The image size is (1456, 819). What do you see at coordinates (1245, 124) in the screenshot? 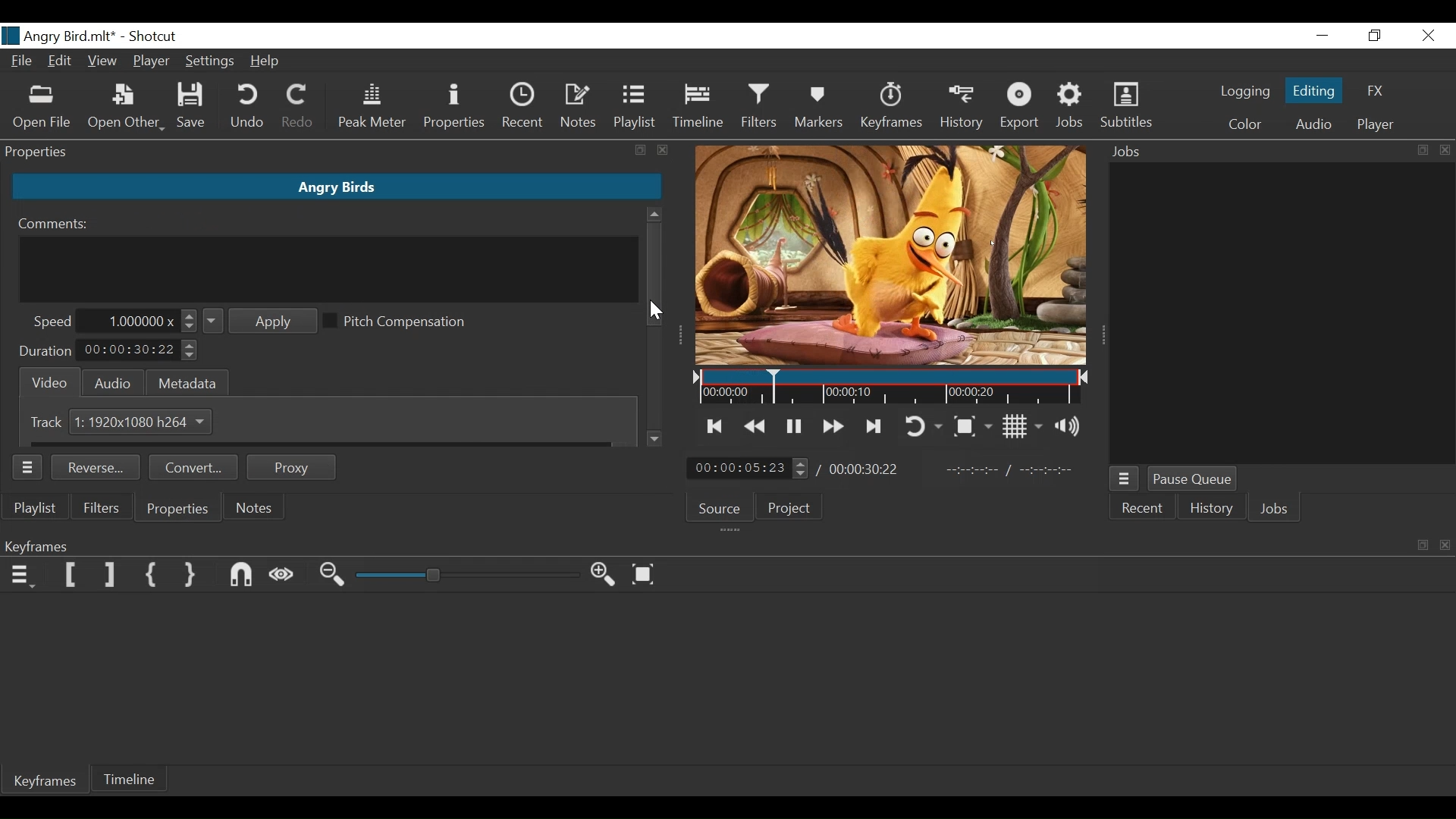
I see `Color` at bounding box center [1245, 124].